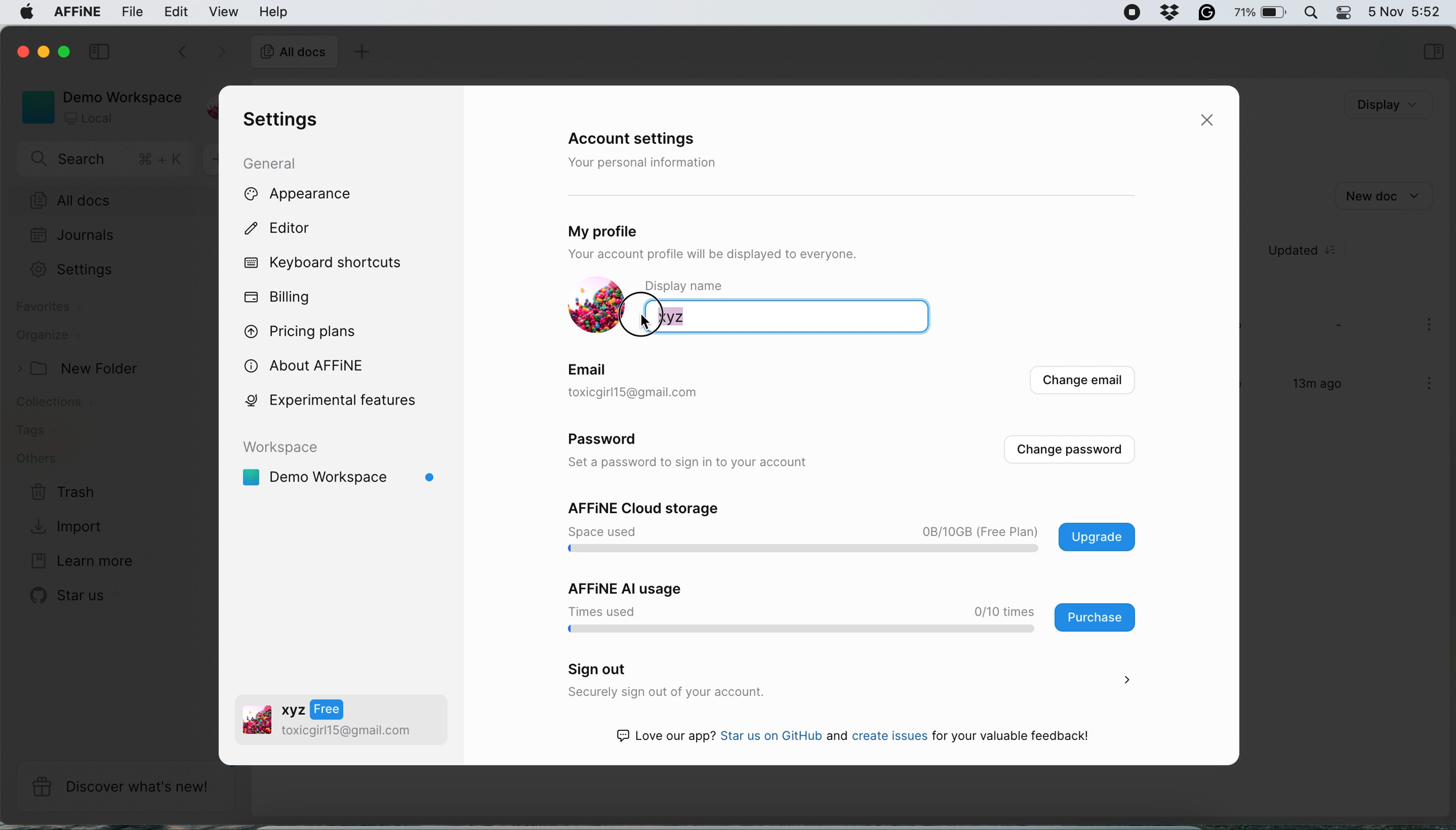  What do you see at coordinates (311, 364) in the screenshot?
I see `about affine` at bounding box center [311, 364].